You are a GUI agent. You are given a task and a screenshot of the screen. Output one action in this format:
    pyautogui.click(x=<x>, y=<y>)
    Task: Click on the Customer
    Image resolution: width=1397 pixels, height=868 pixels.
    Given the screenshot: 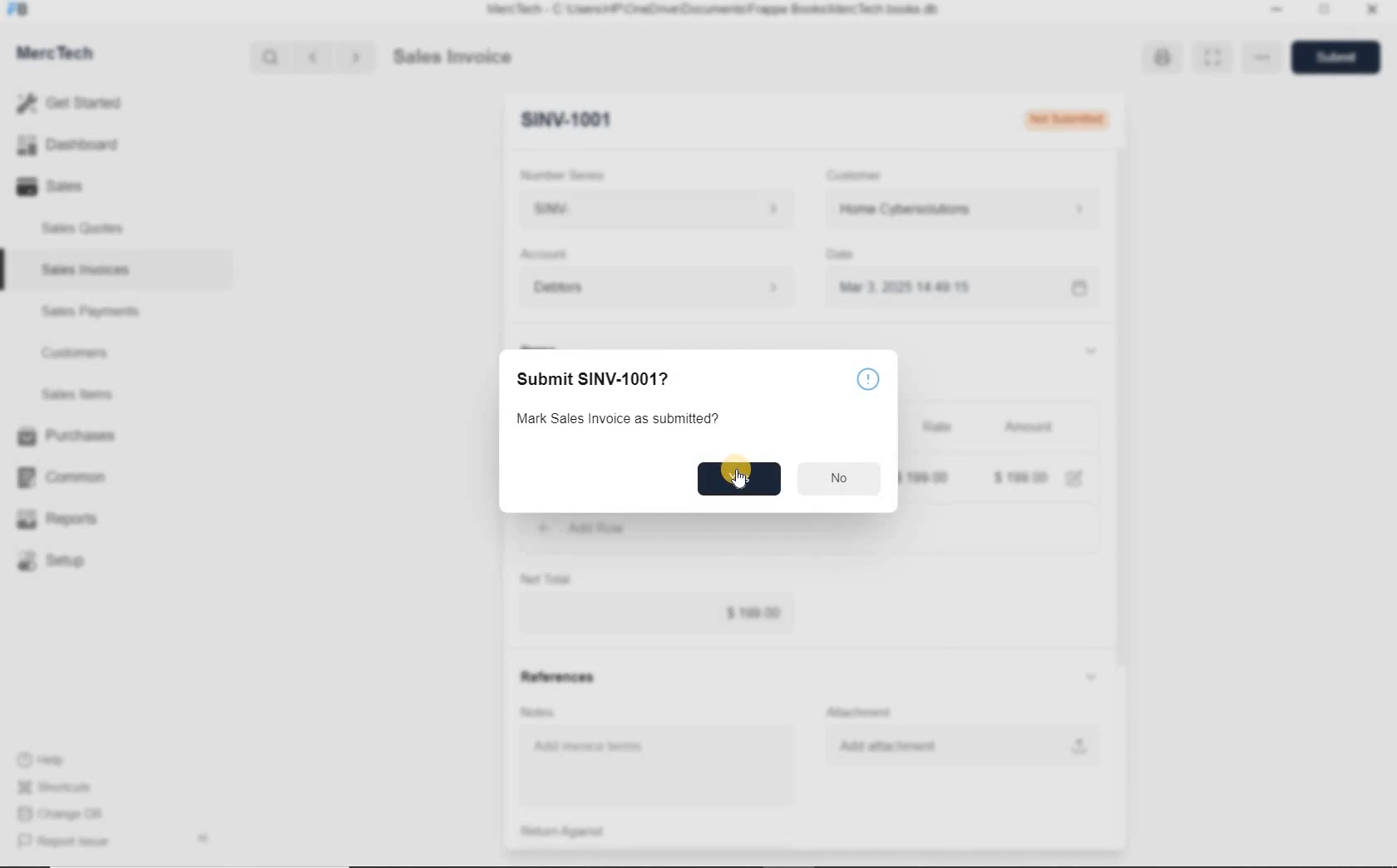 What is the action you would take?
    pyautogui.click(x=865, y=175)
    